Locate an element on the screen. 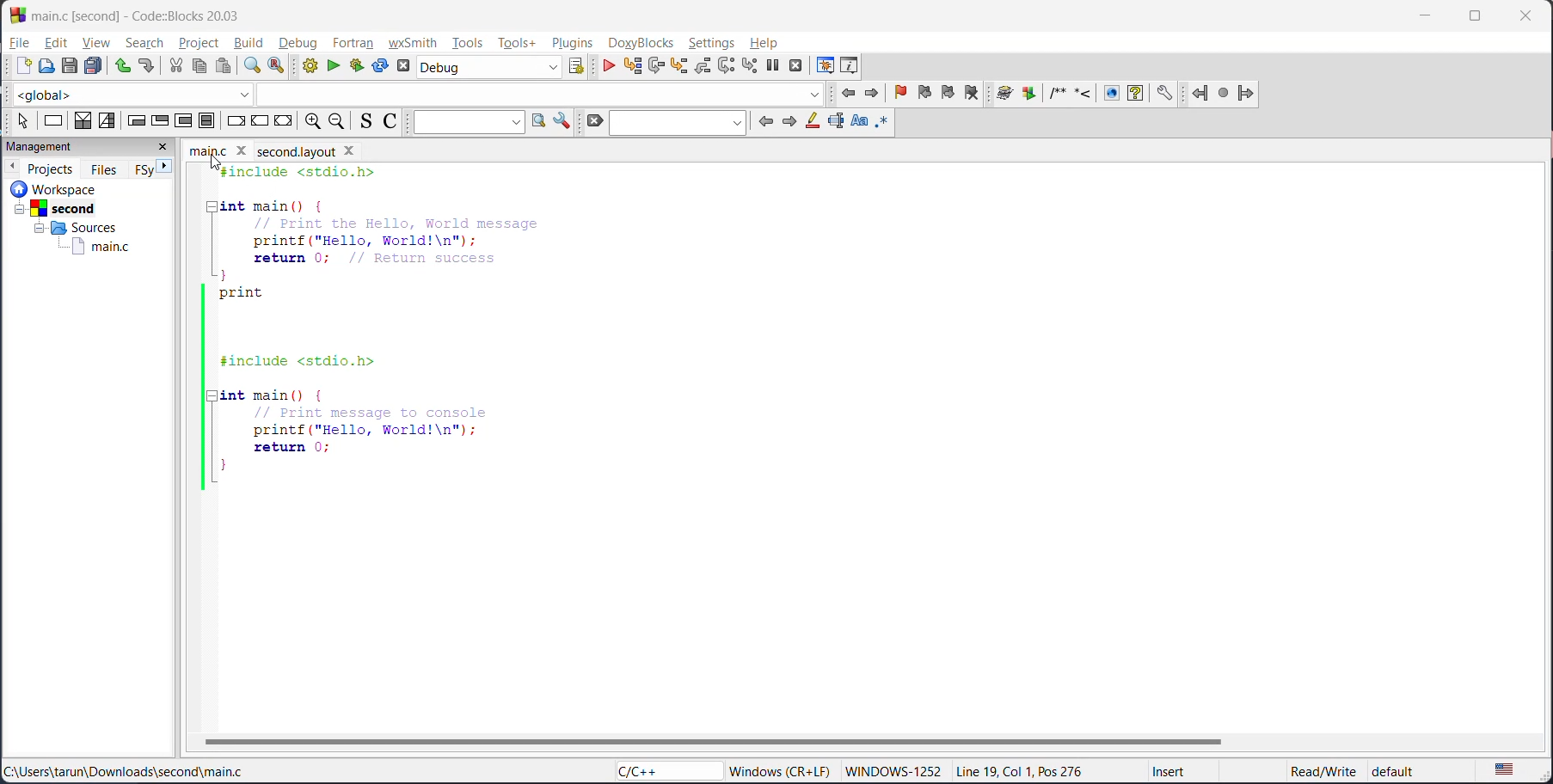  FSy is located at coordinates (141, 169).